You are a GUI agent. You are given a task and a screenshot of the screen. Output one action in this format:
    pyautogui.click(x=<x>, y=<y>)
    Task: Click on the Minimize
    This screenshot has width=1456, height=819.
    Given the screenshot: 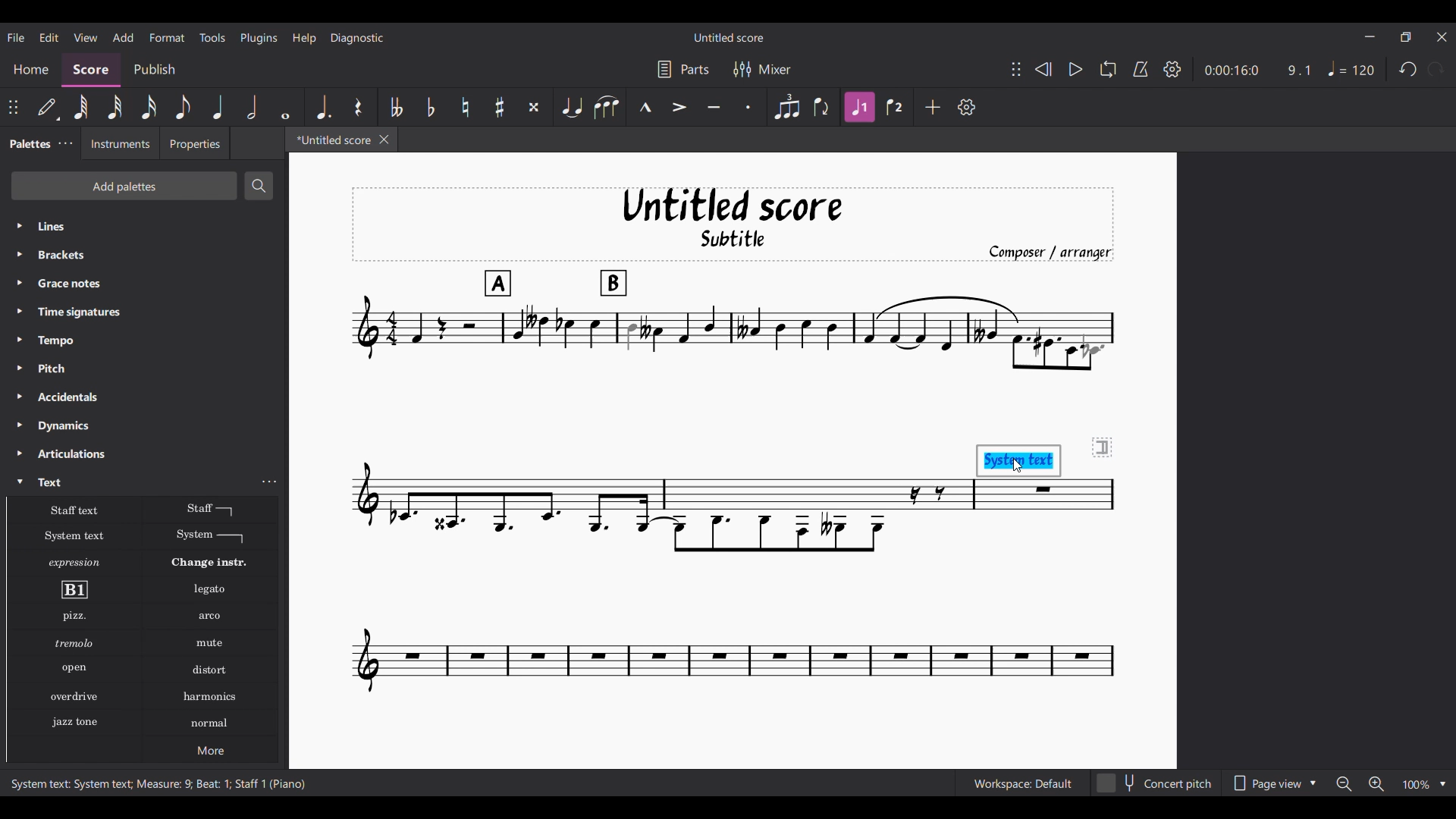 What is the action you would take?
    pyautogui.click(x=1370, y=36)
    